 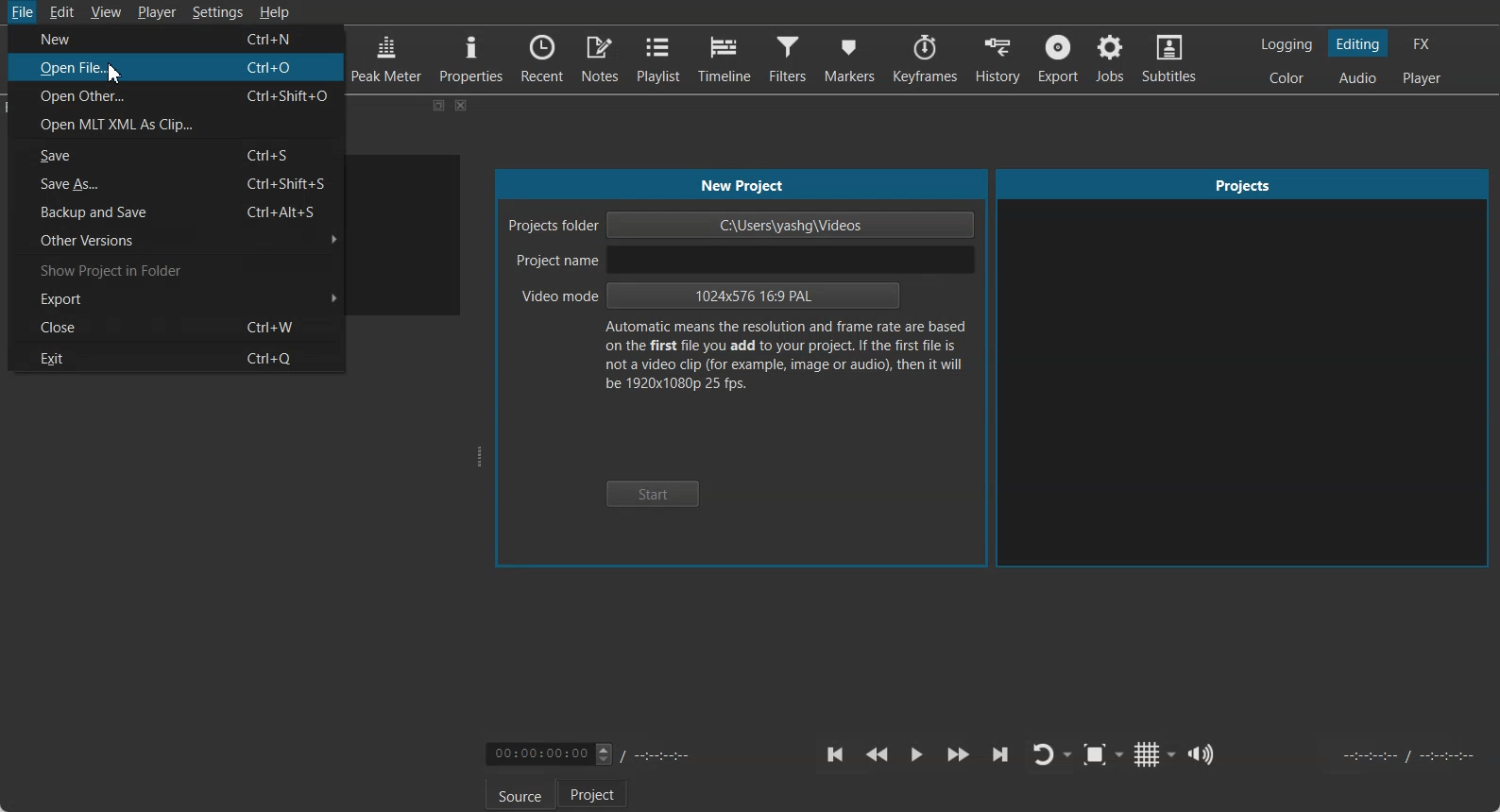 What do you see at coordinates (462, 106) in the screenshot?
I see `Close` at bounding box center [462, 106].